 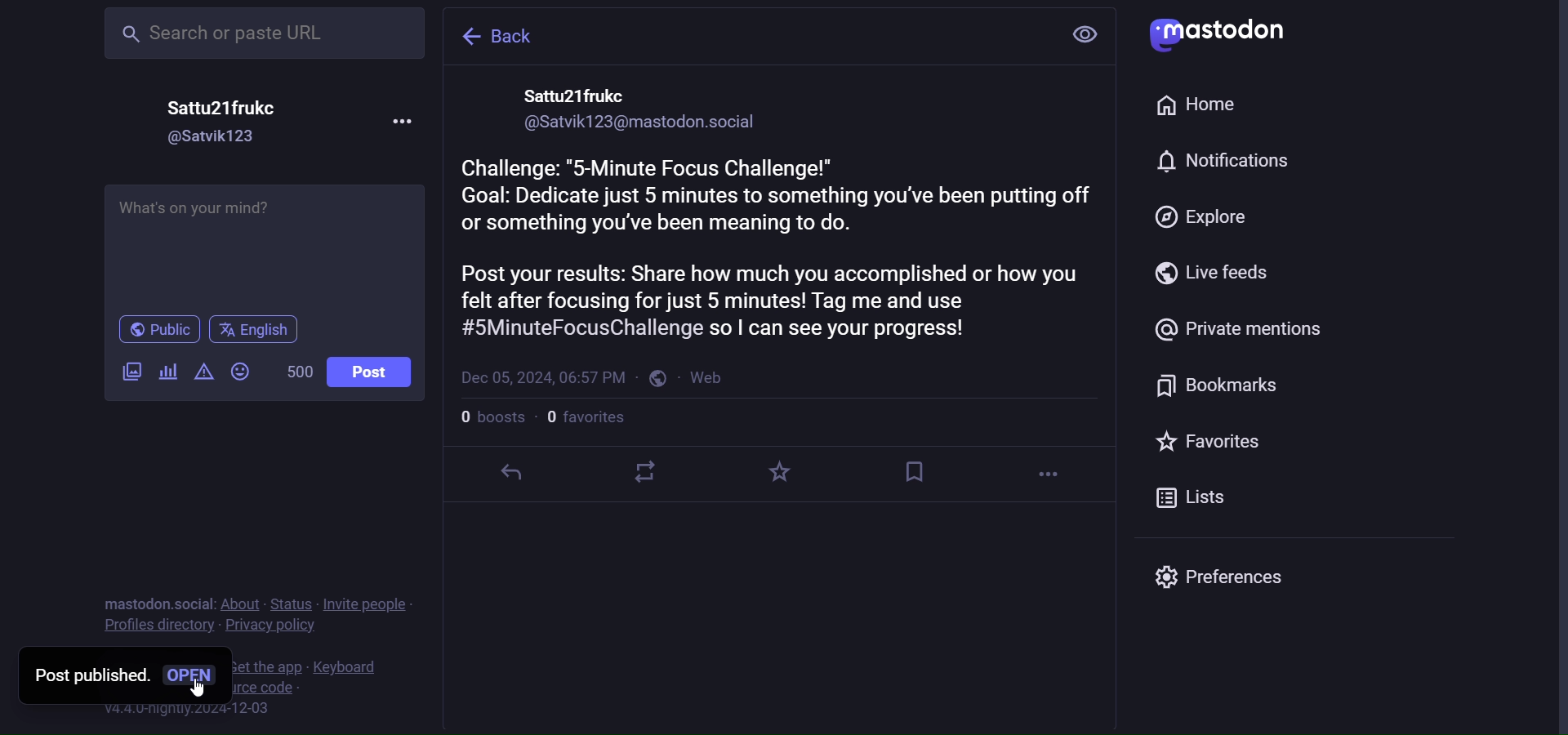 What do you see at coordinates (260, 332) in the screenshot?
I see `english` at bounding box center [260, 332].